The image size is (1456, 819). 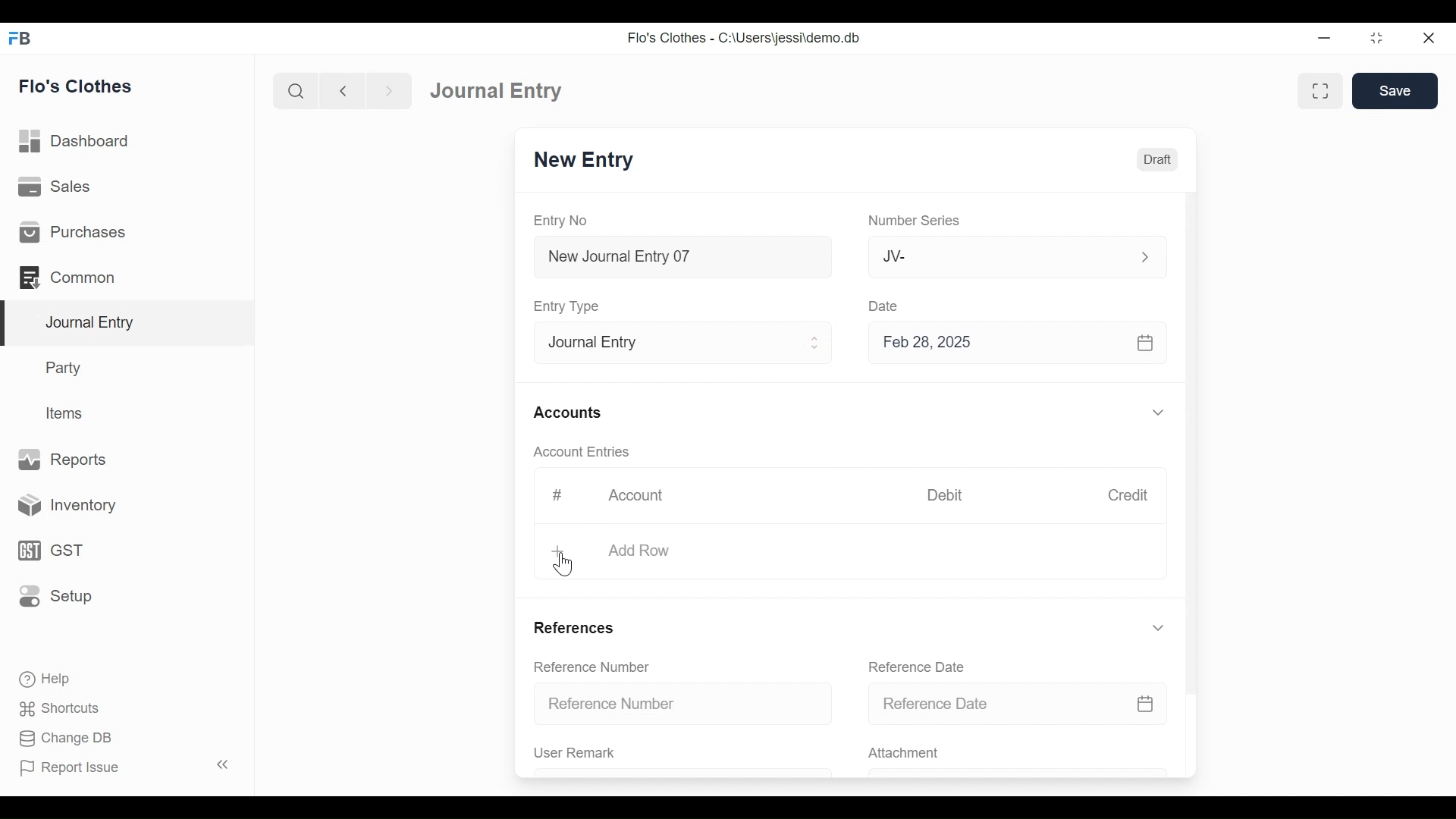 I want to click on References, so click(x=575, y=629).